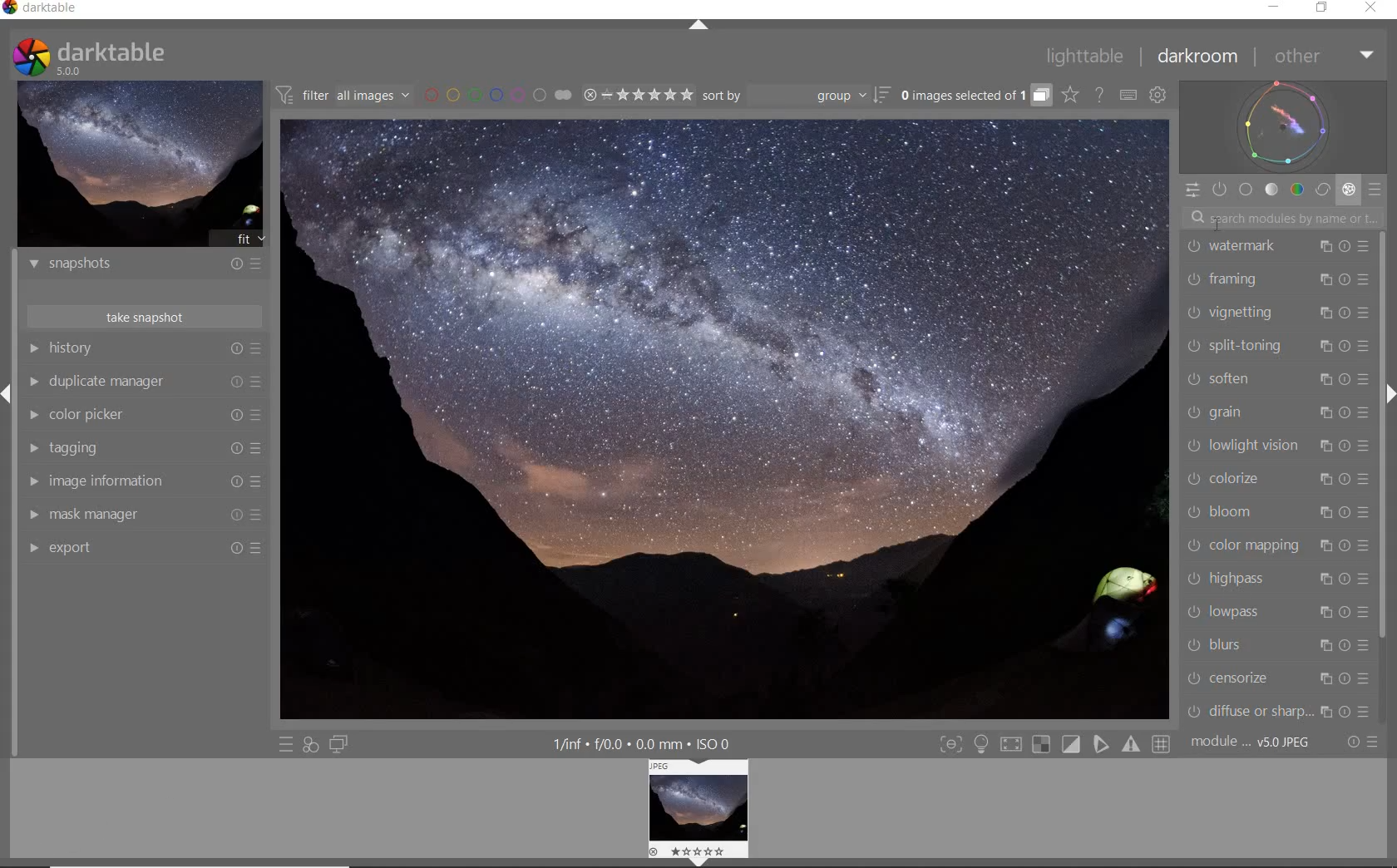 This screenshot has height=868, width=1397. What do you see at coordinates (1346, 444) in the screenshot?
I see `reset parameters` at bounding box center [1346, 444].